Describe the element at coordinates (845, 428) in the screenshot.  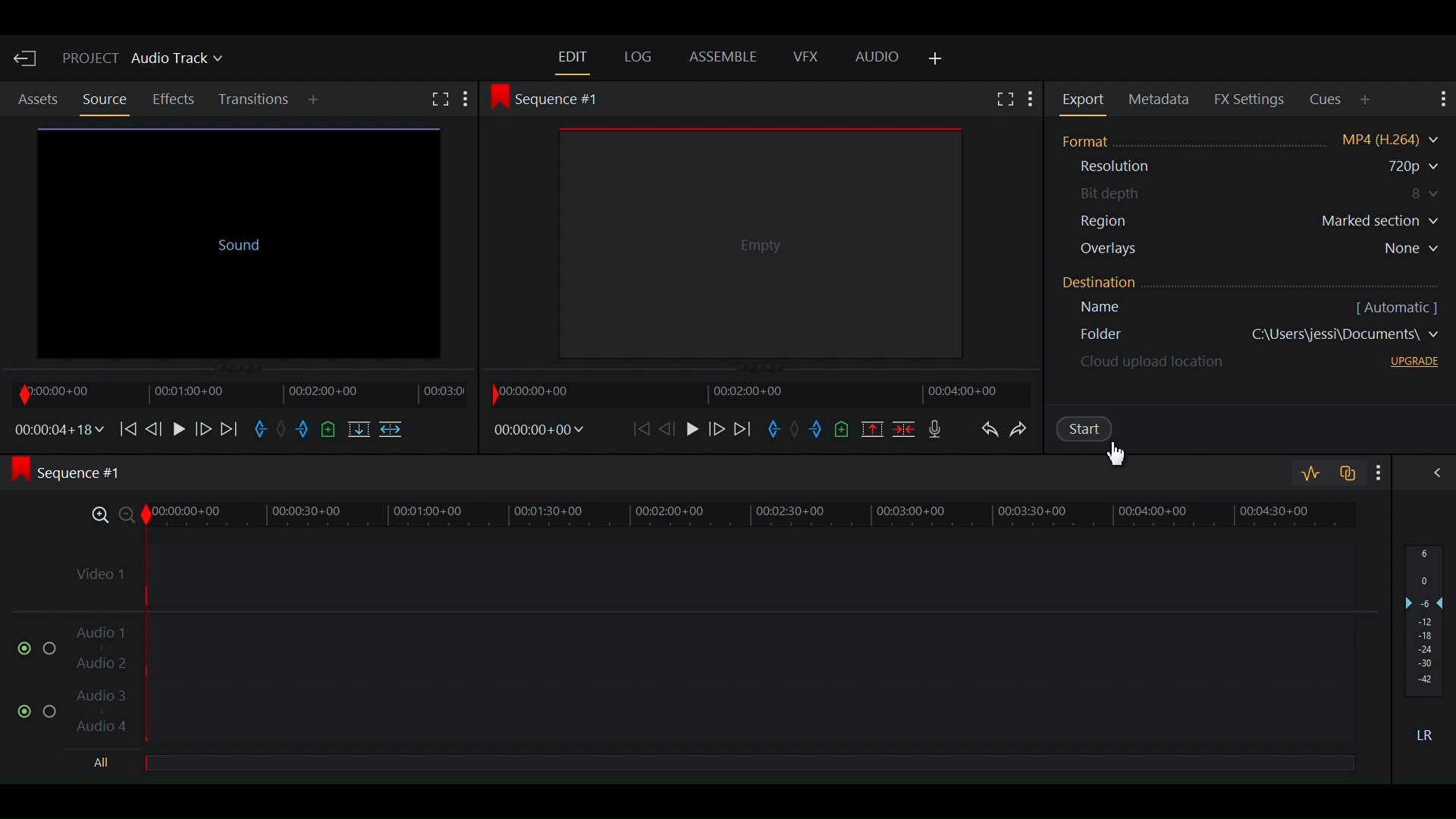
I see `Add a cue` at that location.